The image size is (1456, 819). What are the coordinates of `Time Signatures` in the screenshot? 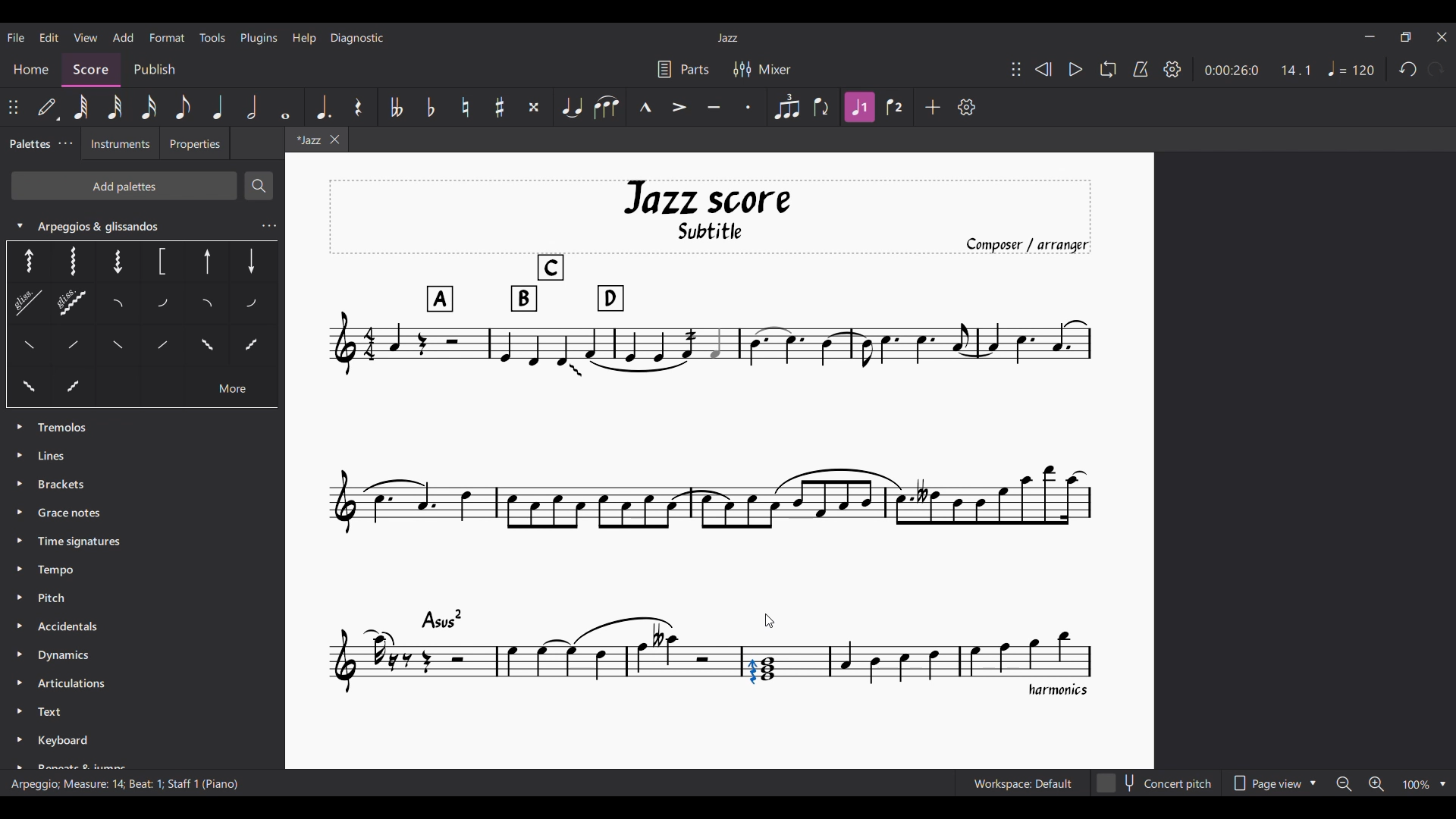 It's located at (83, 541).